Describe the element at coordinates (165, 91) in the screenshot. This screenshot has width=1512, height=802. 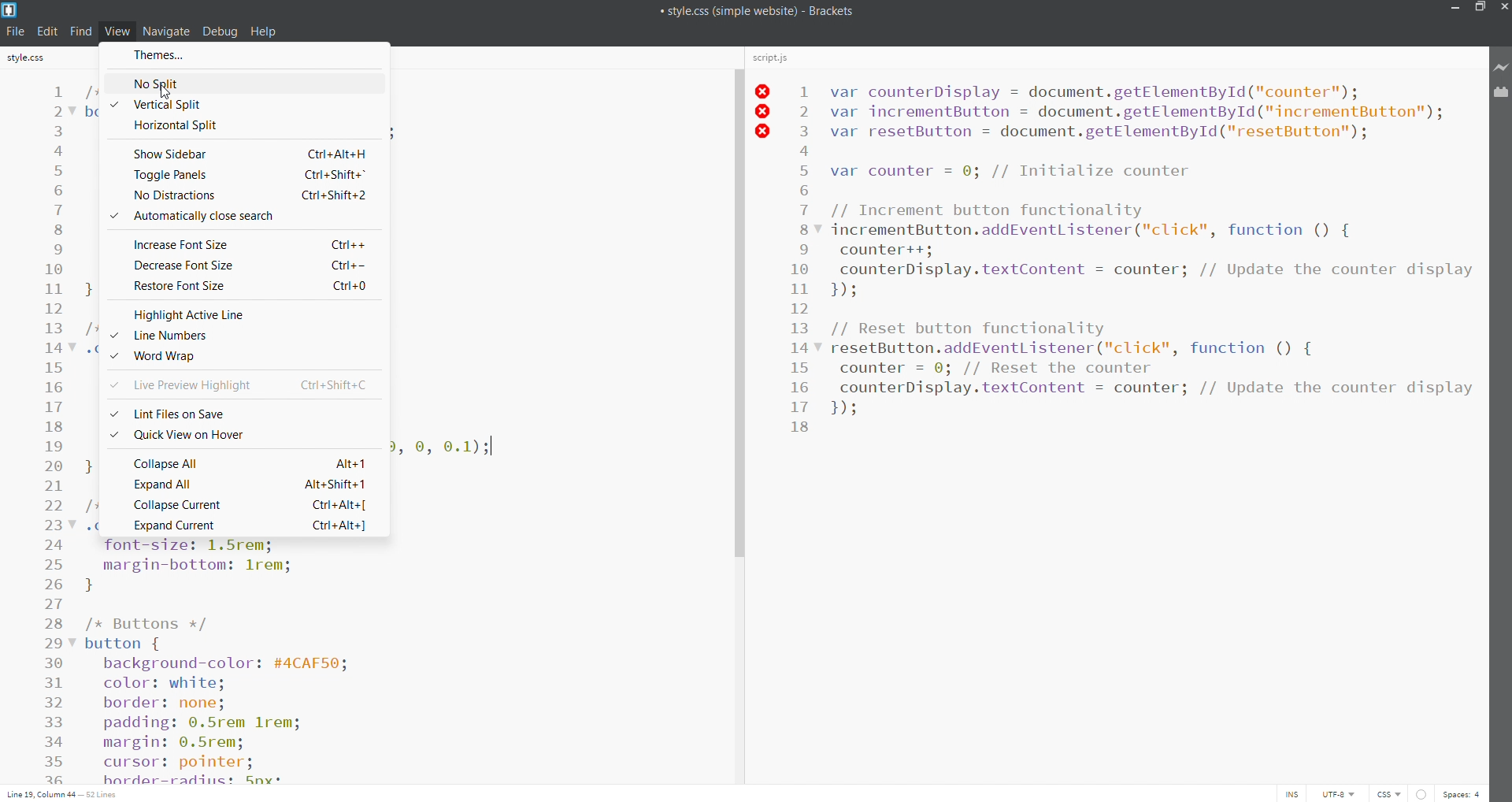
I see `Cursor` at that location.